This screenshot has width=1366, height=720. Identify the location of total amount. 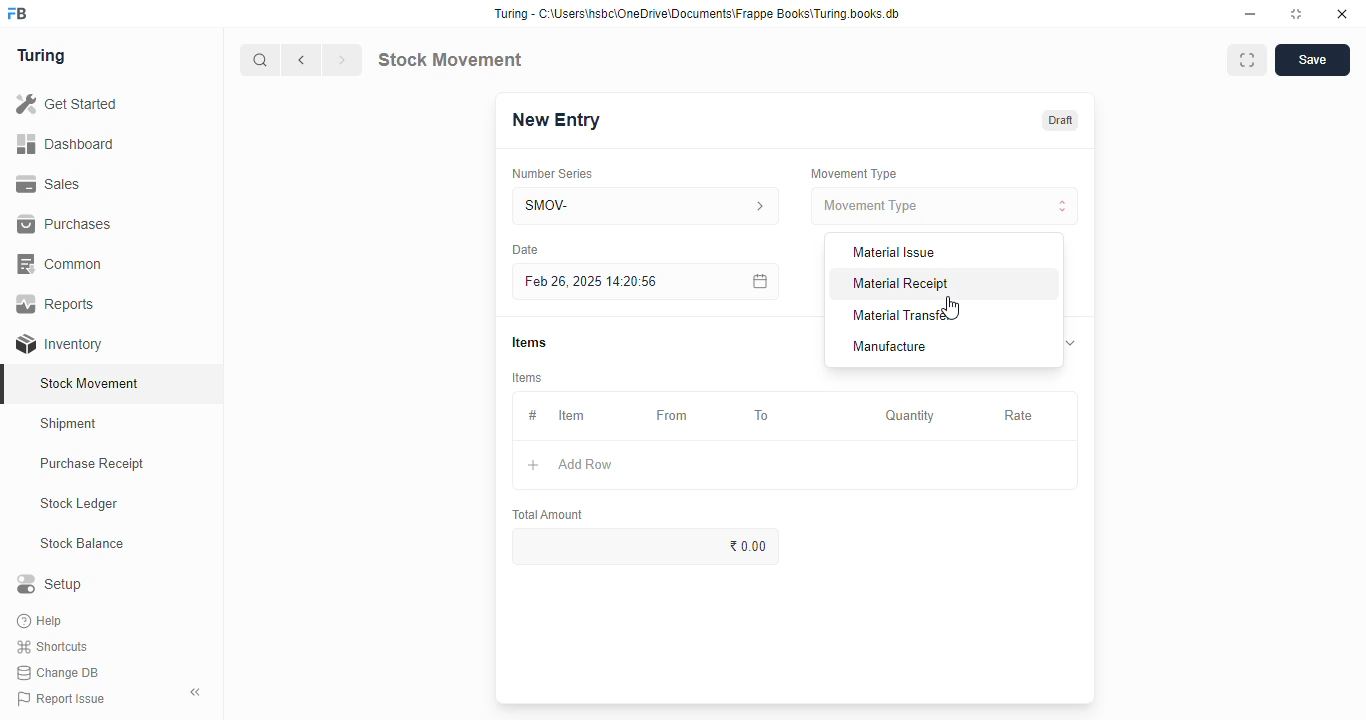
(549, 514).